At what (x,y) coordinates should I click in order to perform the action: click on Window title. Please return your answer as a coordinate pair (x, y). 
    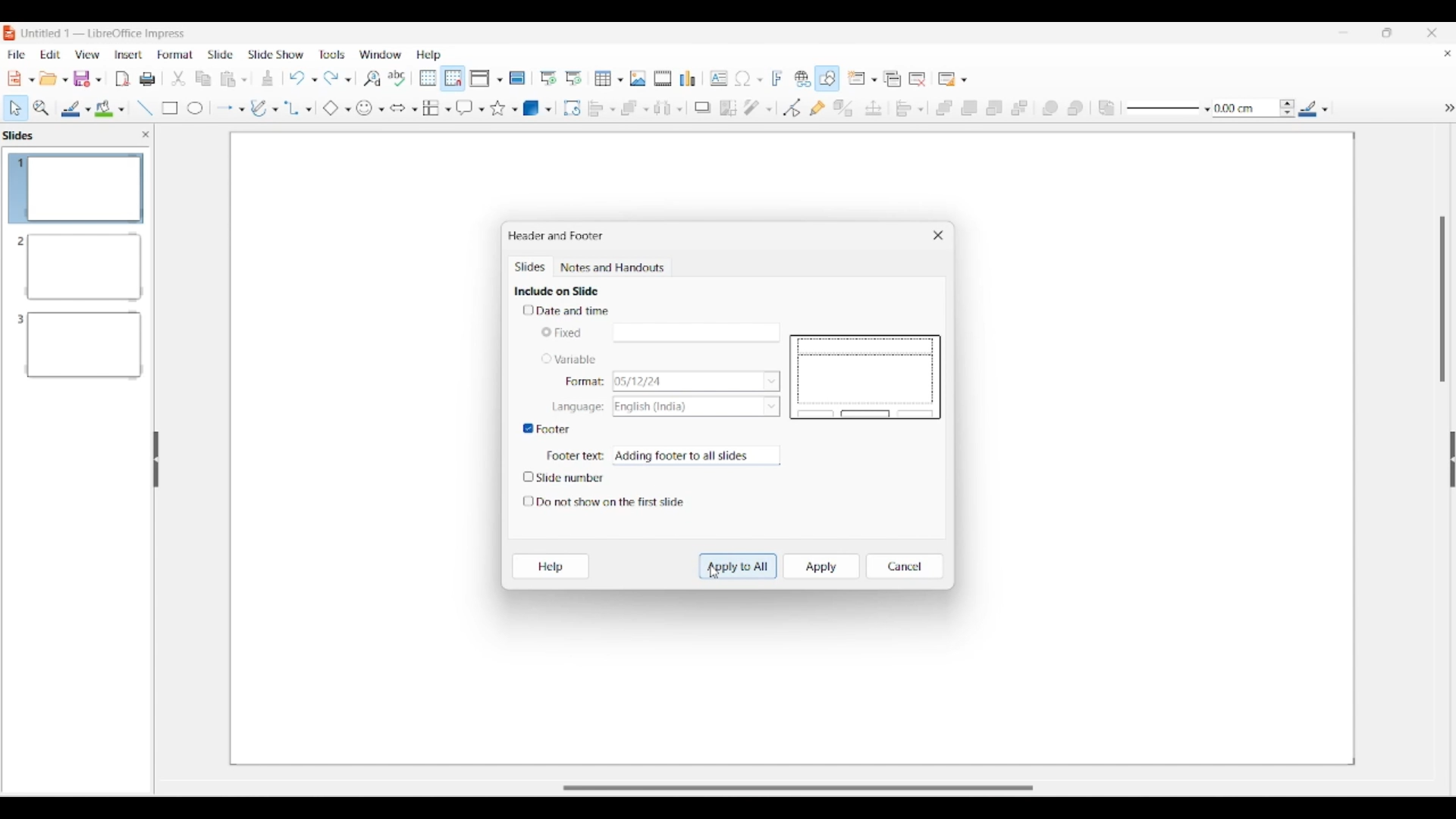
    Looking at the image, I should click on (556, 236).